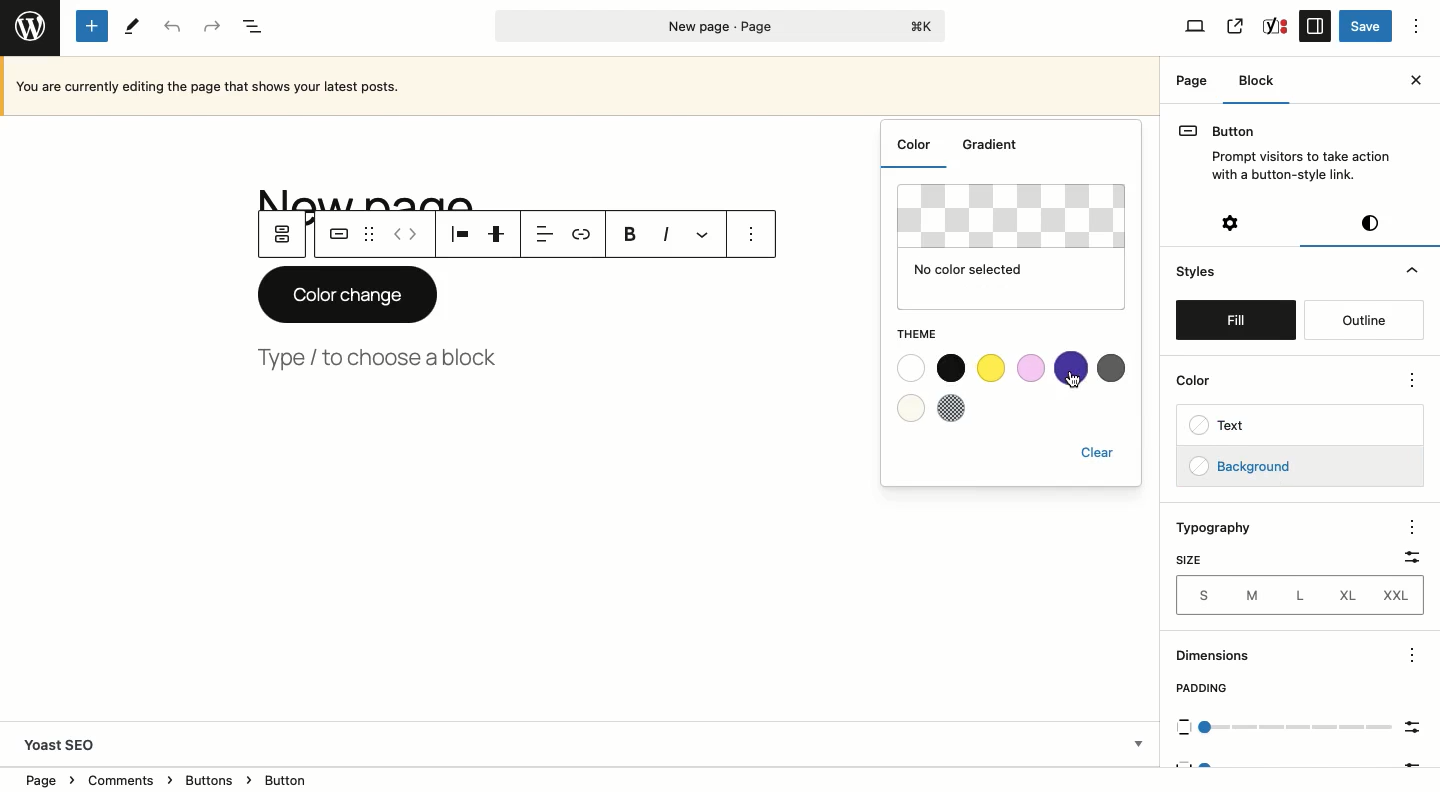 The width and height of the screenshot is (1440, 792). I want to click on Pink, so click(1030, 369).